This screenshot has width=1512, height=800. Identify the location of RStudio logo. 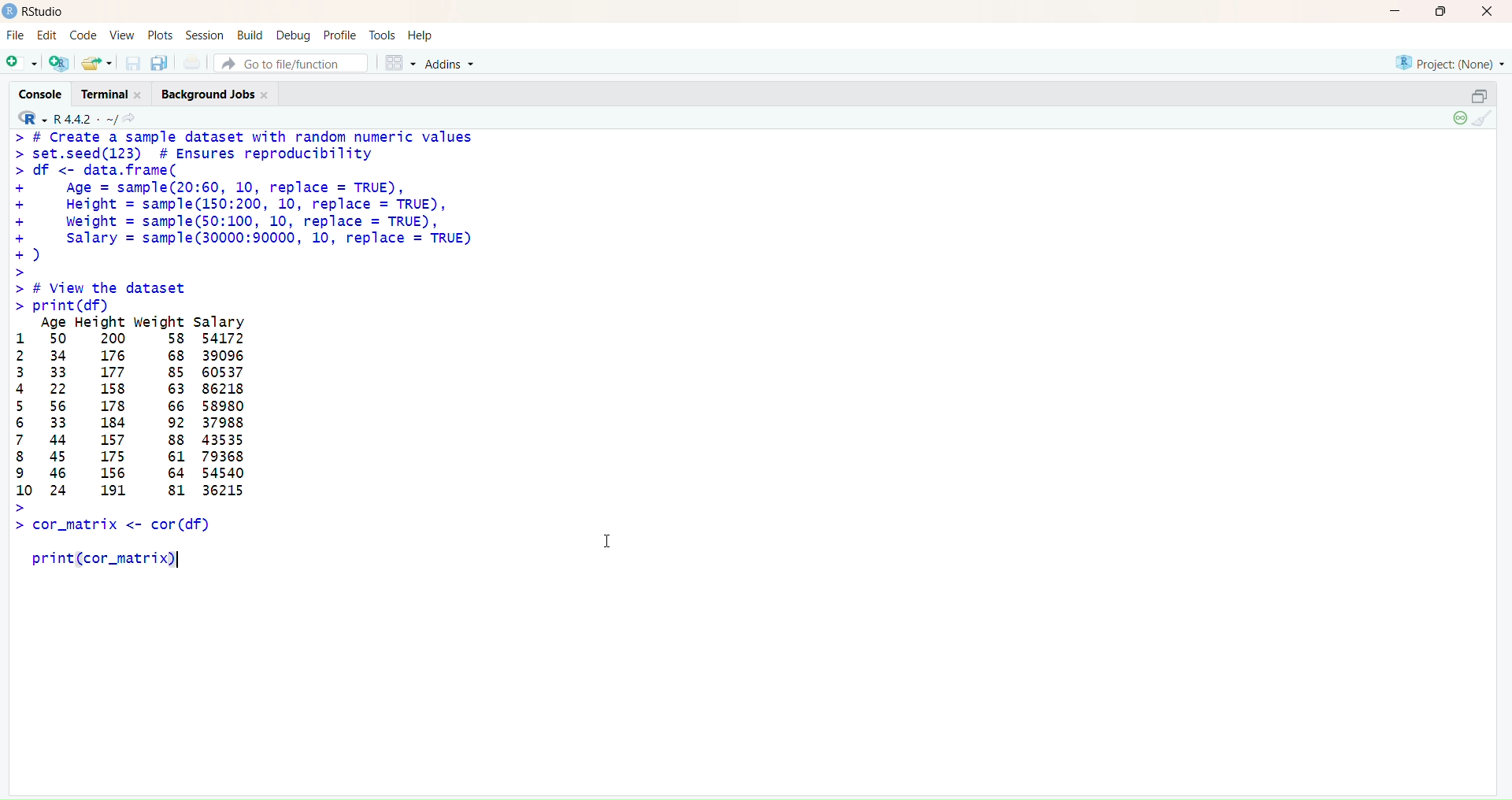
(28, 117).